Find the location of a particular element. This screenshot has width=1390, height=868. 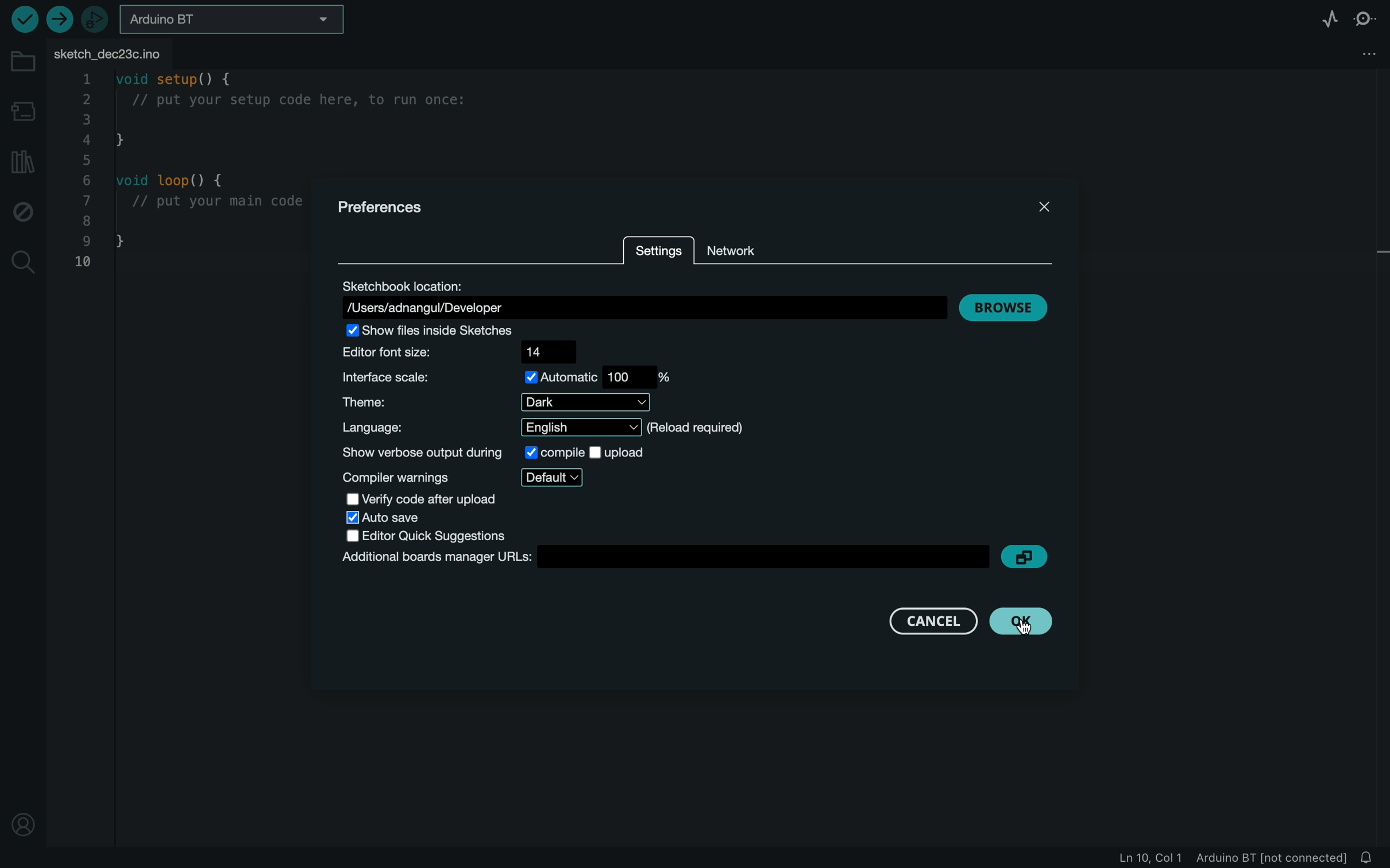

notification is located at coordinates (1374, 855).